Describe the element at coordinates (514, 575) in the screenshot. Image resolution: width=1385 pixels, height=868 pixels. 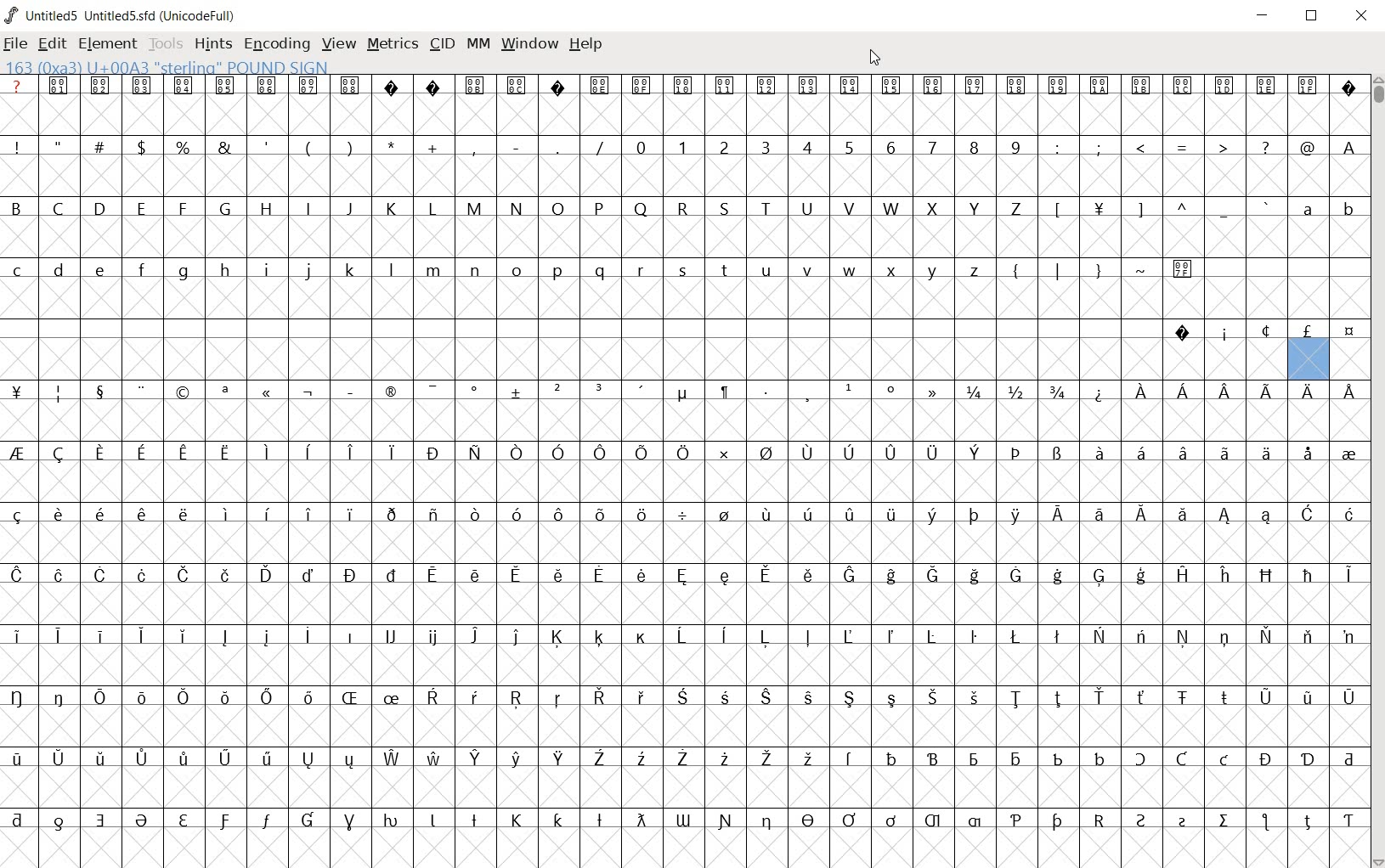
I see `Symbol` at that location.